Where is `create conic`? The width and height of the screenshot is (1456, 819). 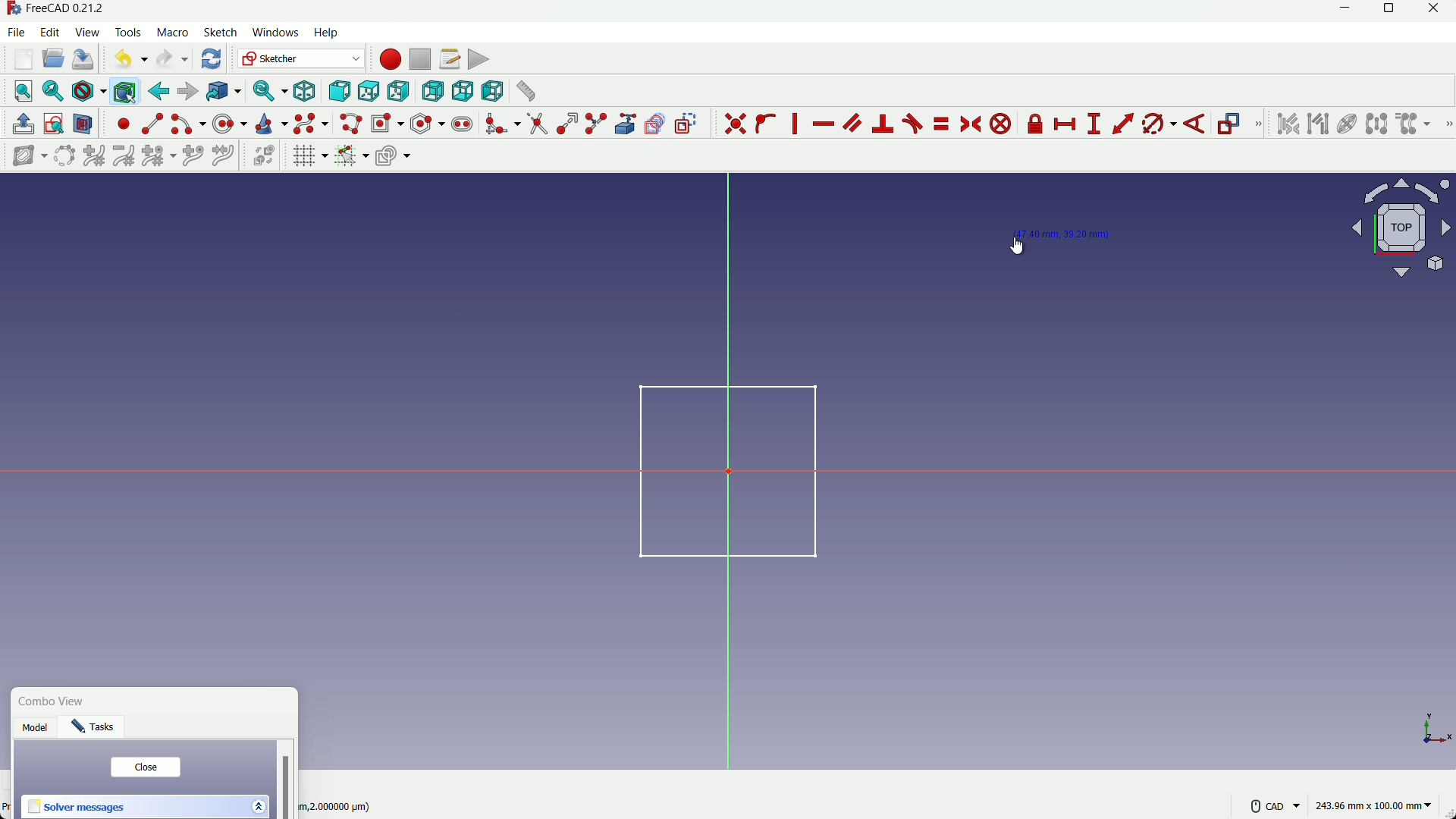 create conic is located at coordinates (270, 123).